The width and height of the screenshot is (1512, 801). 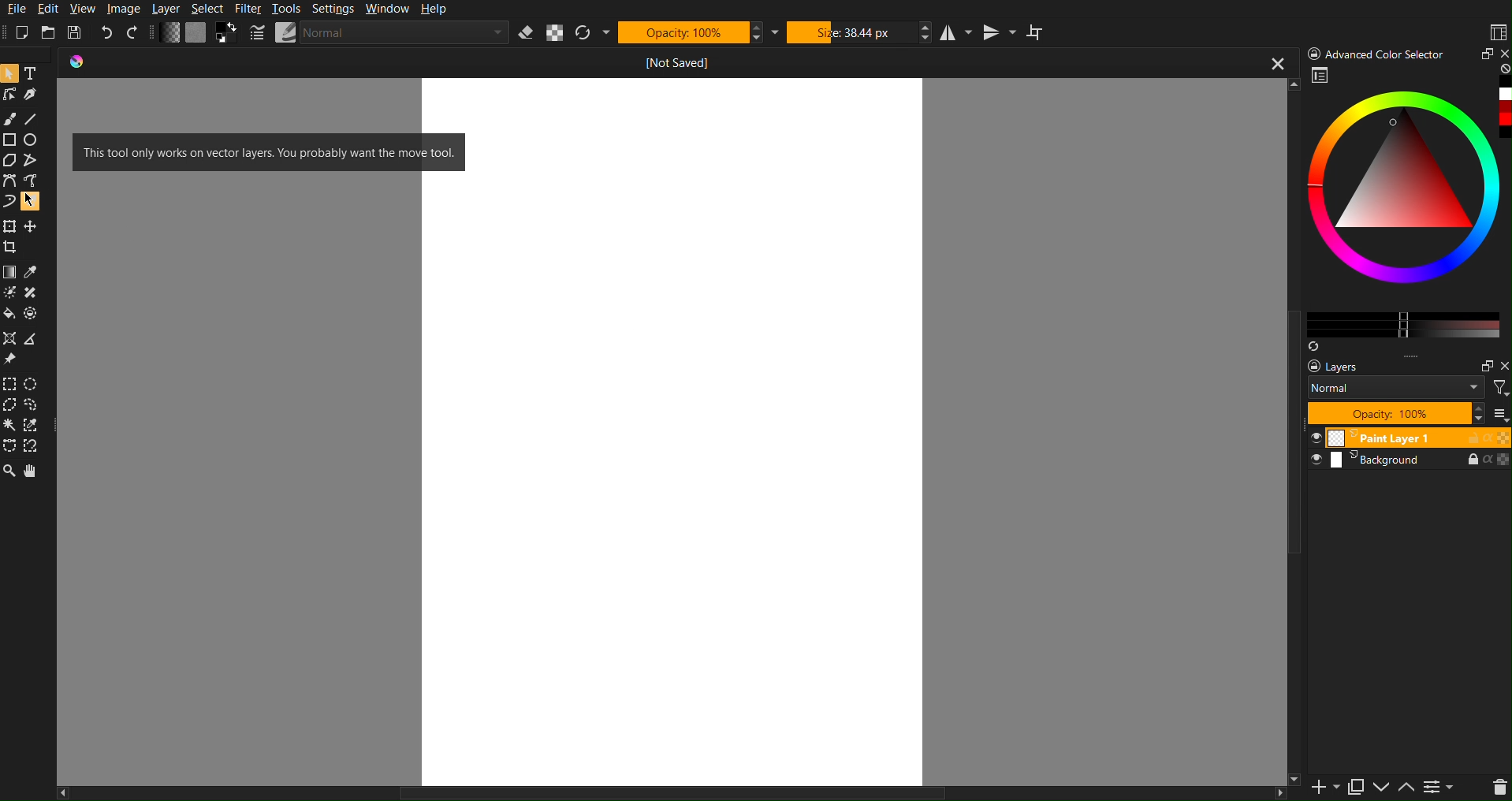 What do you see at coordinates (527, 33) in the screenshot?
I see `Erase` at bounding box center [527, 33].